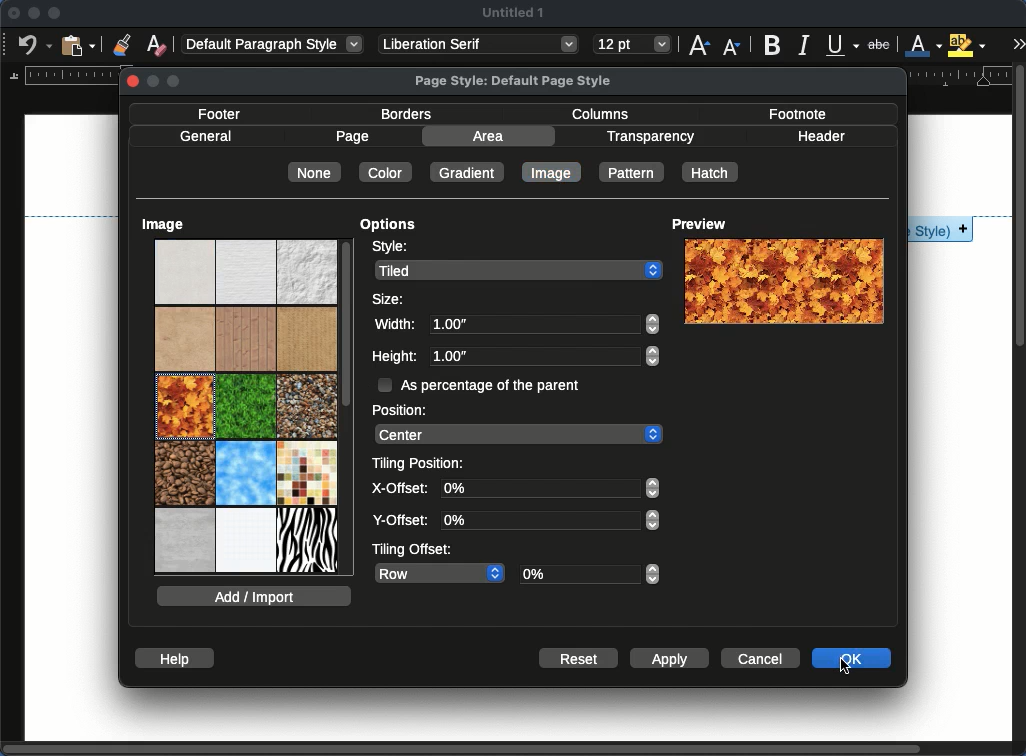 The height and width of the screenshot is (756, 1026). I want to click on tiling position, so click(421, 465).